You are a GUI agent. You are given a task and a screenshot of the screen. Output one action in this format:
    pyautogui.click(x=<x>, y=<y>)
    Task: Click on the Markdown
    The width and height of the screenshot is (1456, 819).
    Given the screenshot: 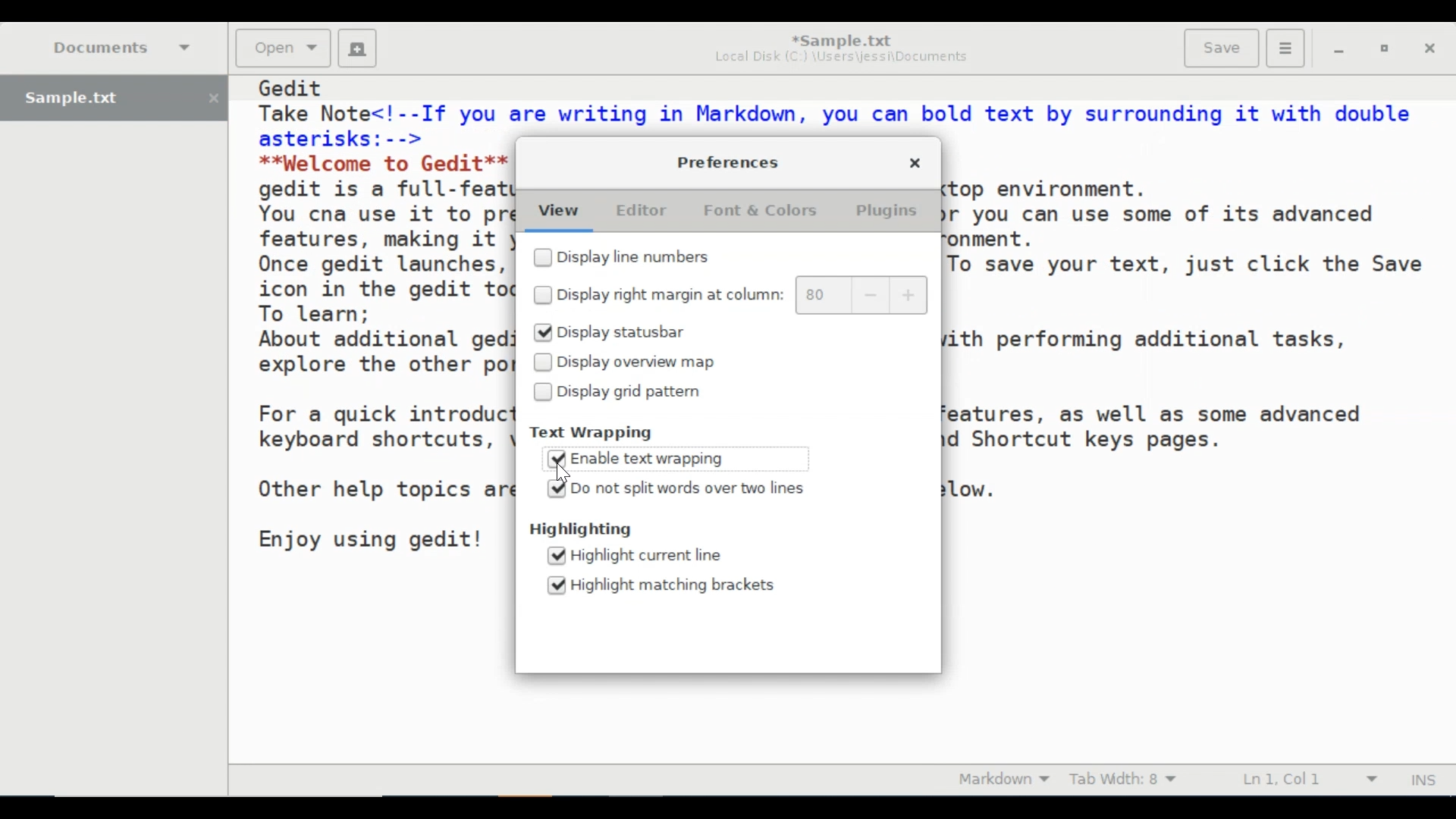 What is the action you would take?
    pyautogui.click(x=1005, y=780)
    